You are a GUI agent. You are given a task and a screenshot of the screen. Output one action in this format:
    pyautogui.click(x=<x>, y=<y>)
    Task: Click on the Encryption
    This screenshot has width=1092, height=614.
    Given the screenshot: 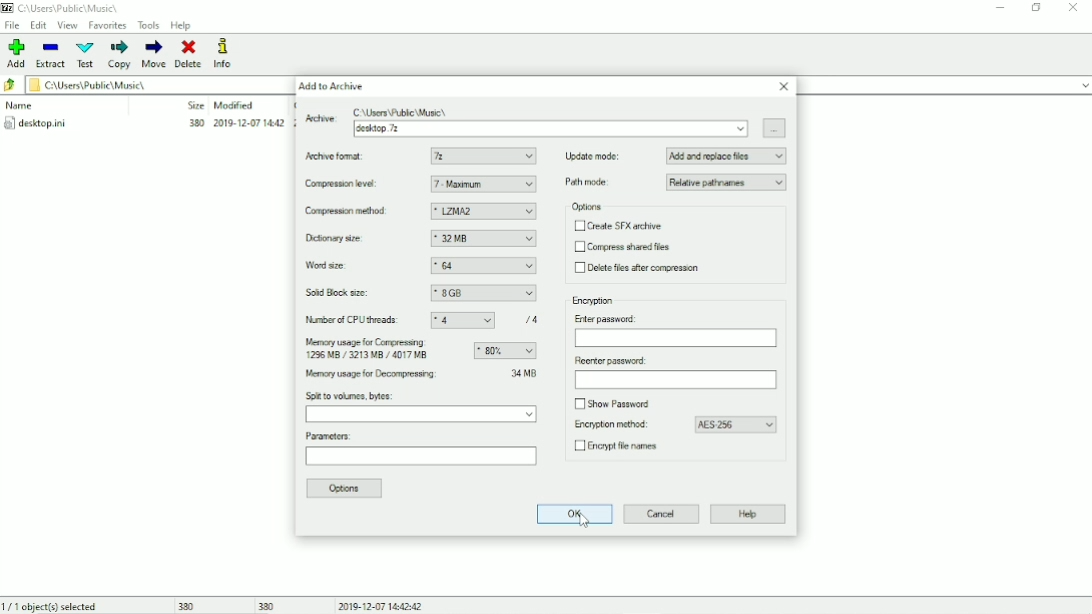 What is the action you would take?
    pyautogui.click(x=594, y=301)
    